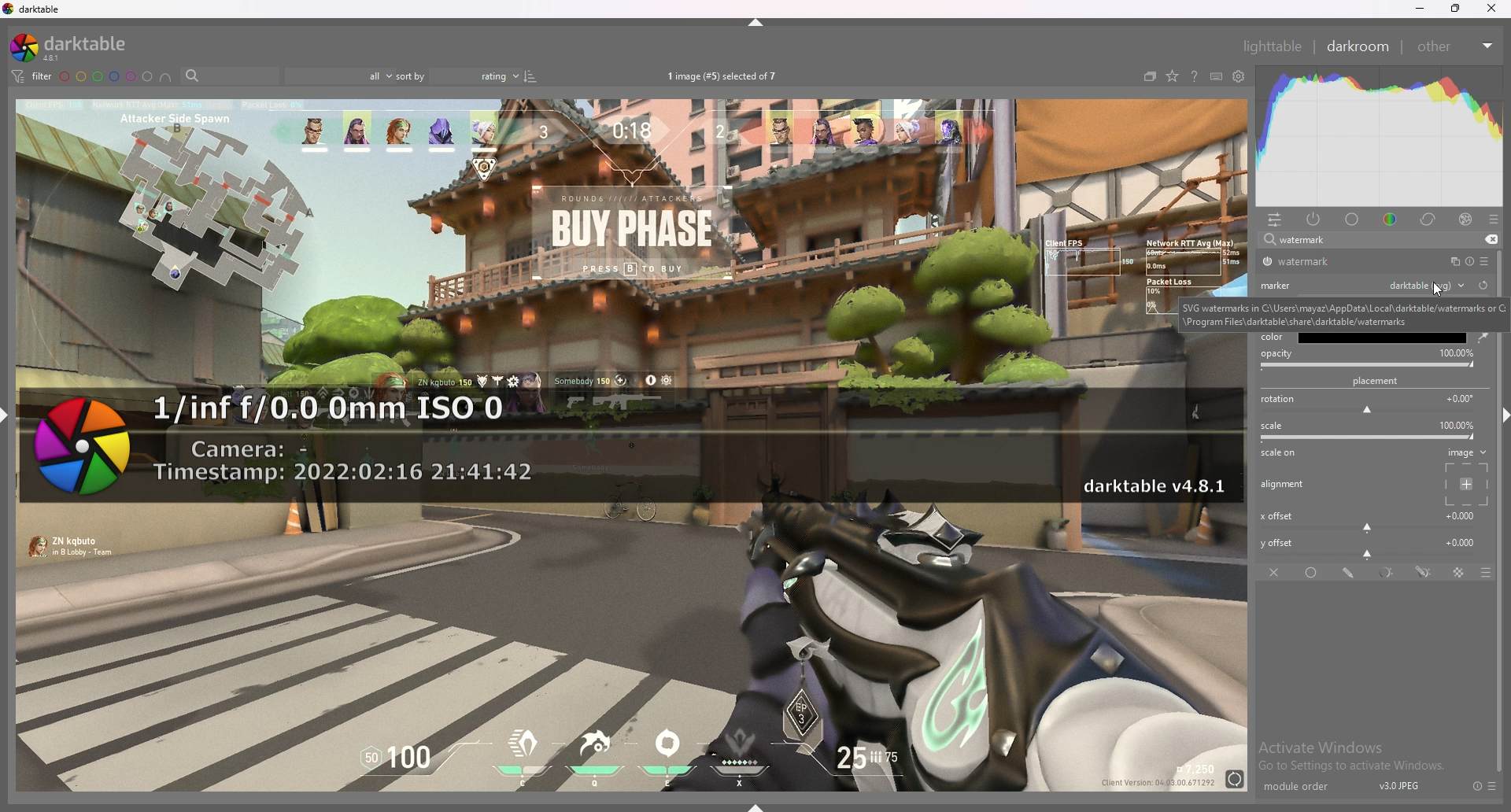 The image size is (1511, 812). What do you see at coordinates (1454, 46) in the screenshot?
I see `other` at bounding box center [1454, 46].